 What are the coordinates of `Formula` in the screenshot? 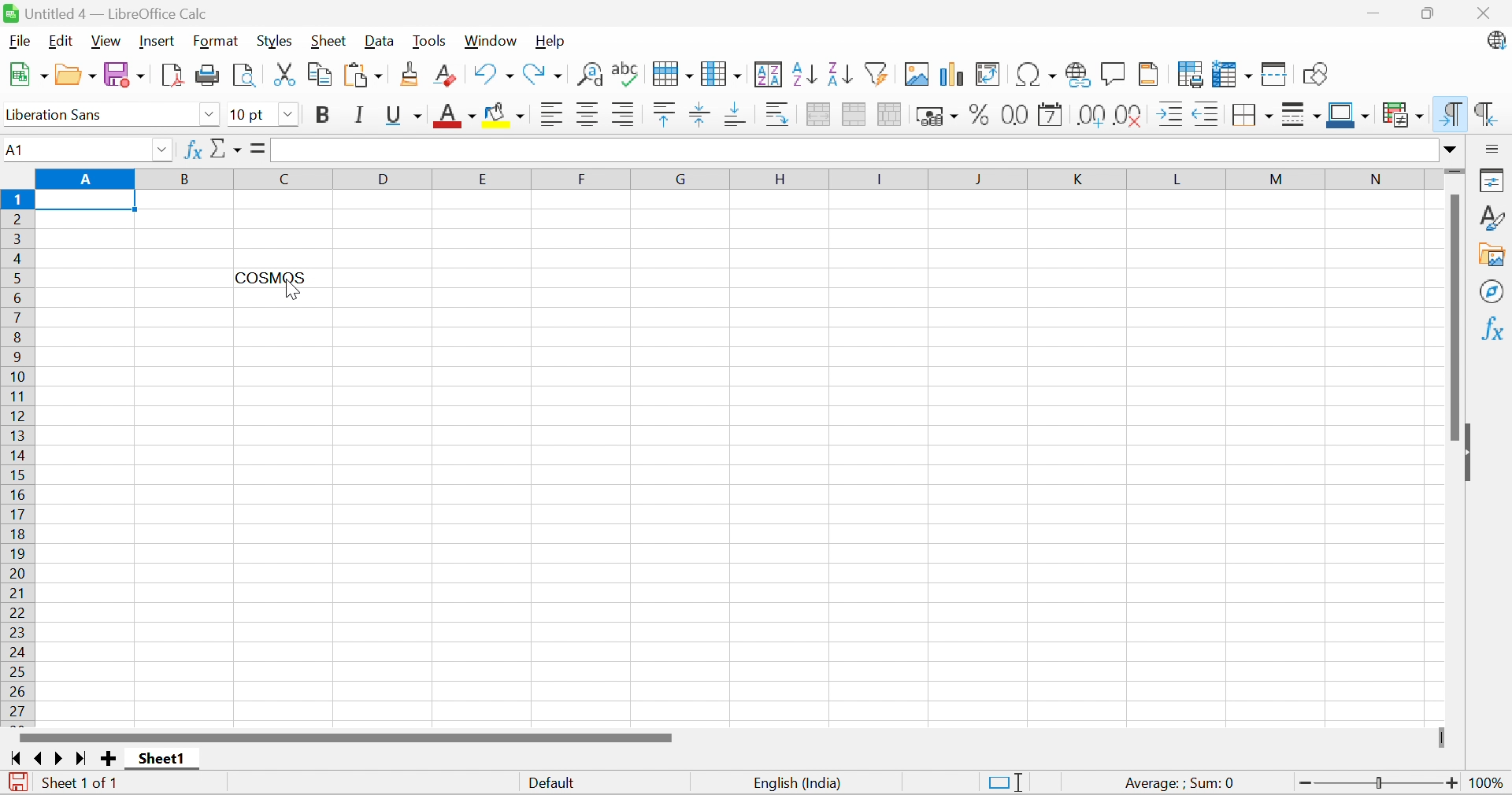 It's located at (261, 149).